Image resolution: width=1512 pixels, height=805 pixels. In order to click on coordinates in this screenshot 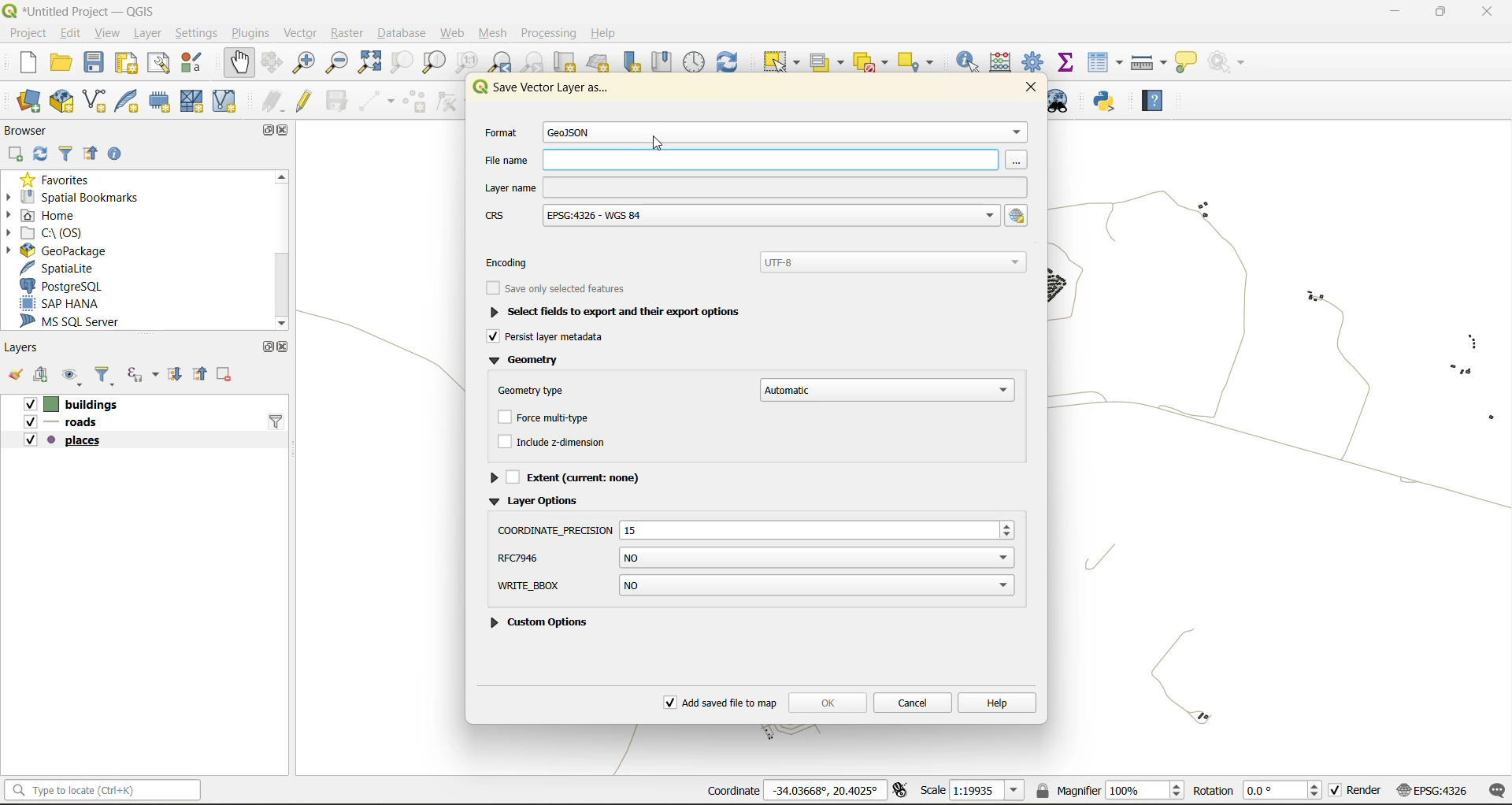, I will do `click(795, 790)`.